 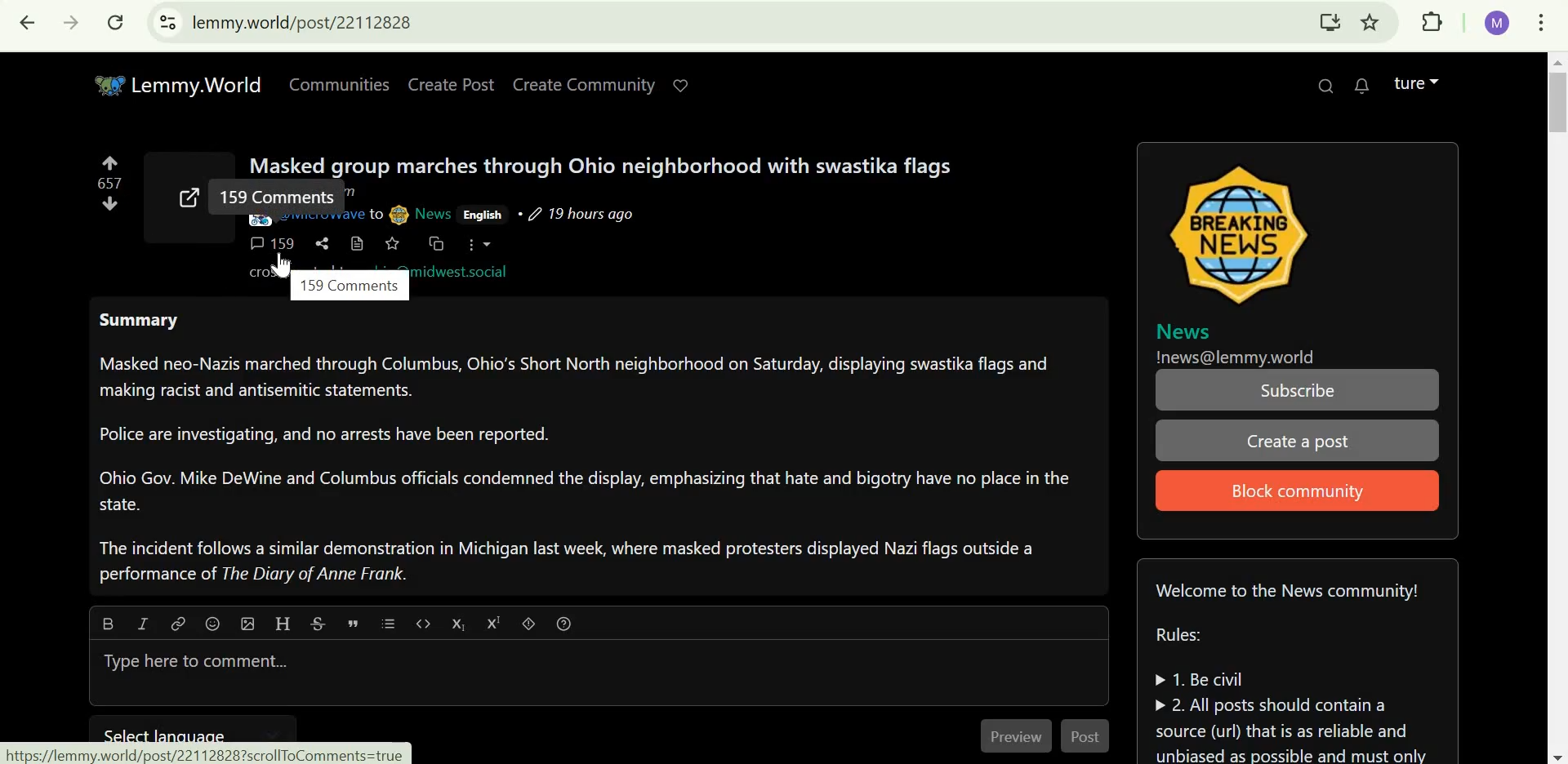 What do you see at coordinates (1373, 22) in the screenshot?
I see `bookmark this tab` at bounding box center [1373, 22].